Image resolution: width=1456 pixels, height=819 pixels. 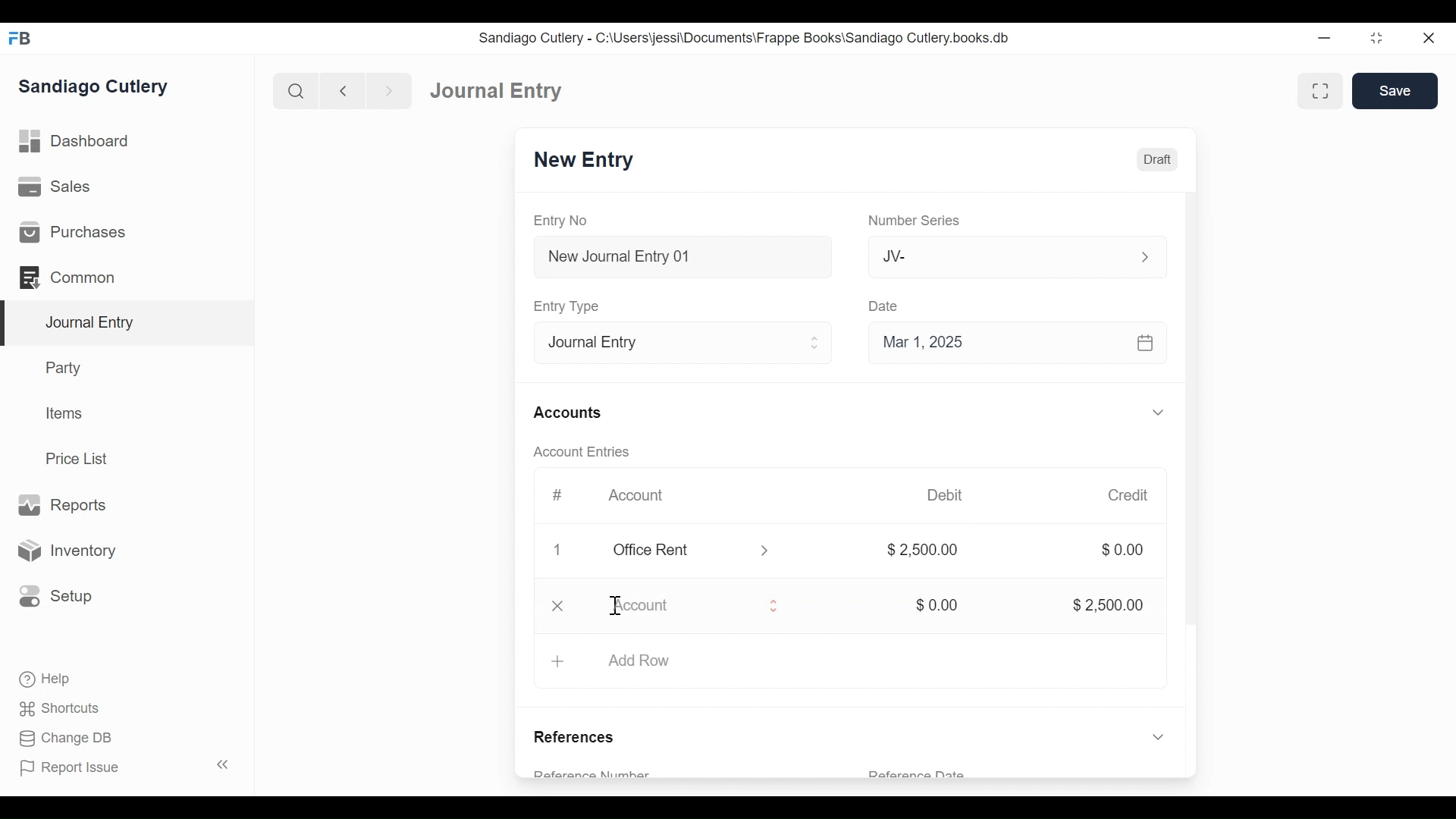 I want to click on Entry Type, so click(x=566, y=306).